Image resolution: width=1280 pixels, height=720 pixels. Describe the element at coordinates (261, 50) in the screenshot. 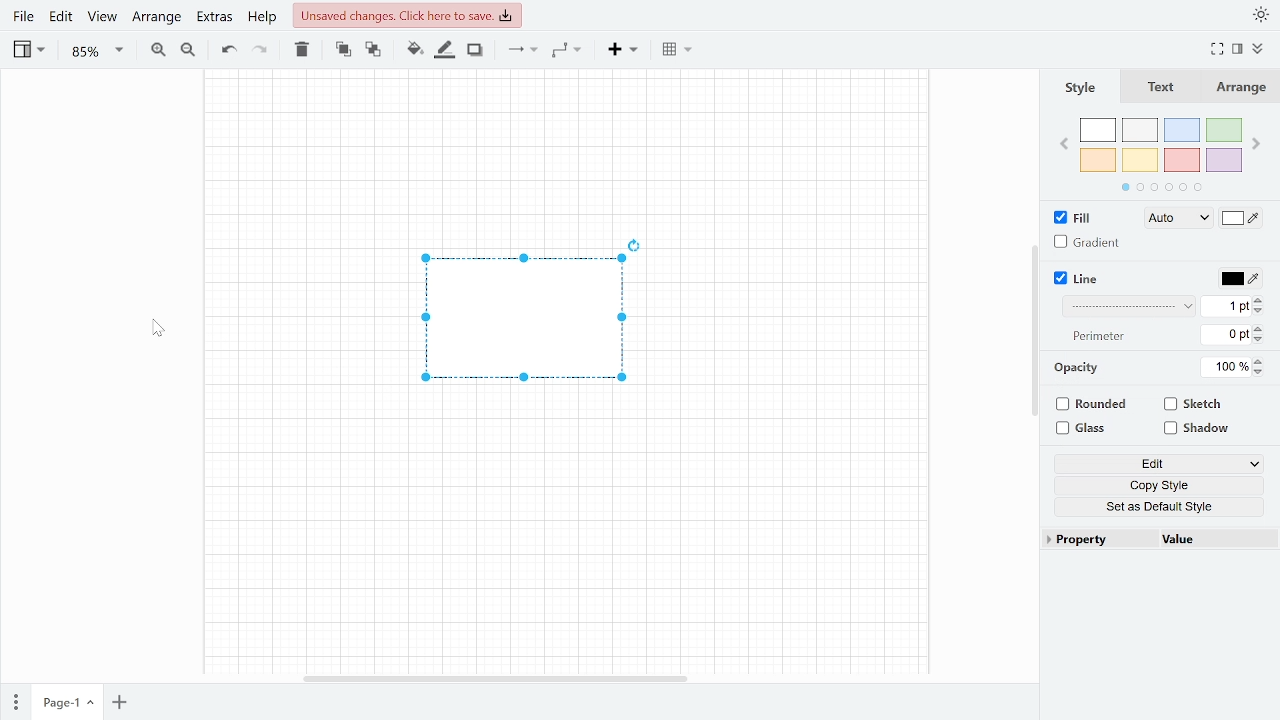

I see `Redo` at that location.